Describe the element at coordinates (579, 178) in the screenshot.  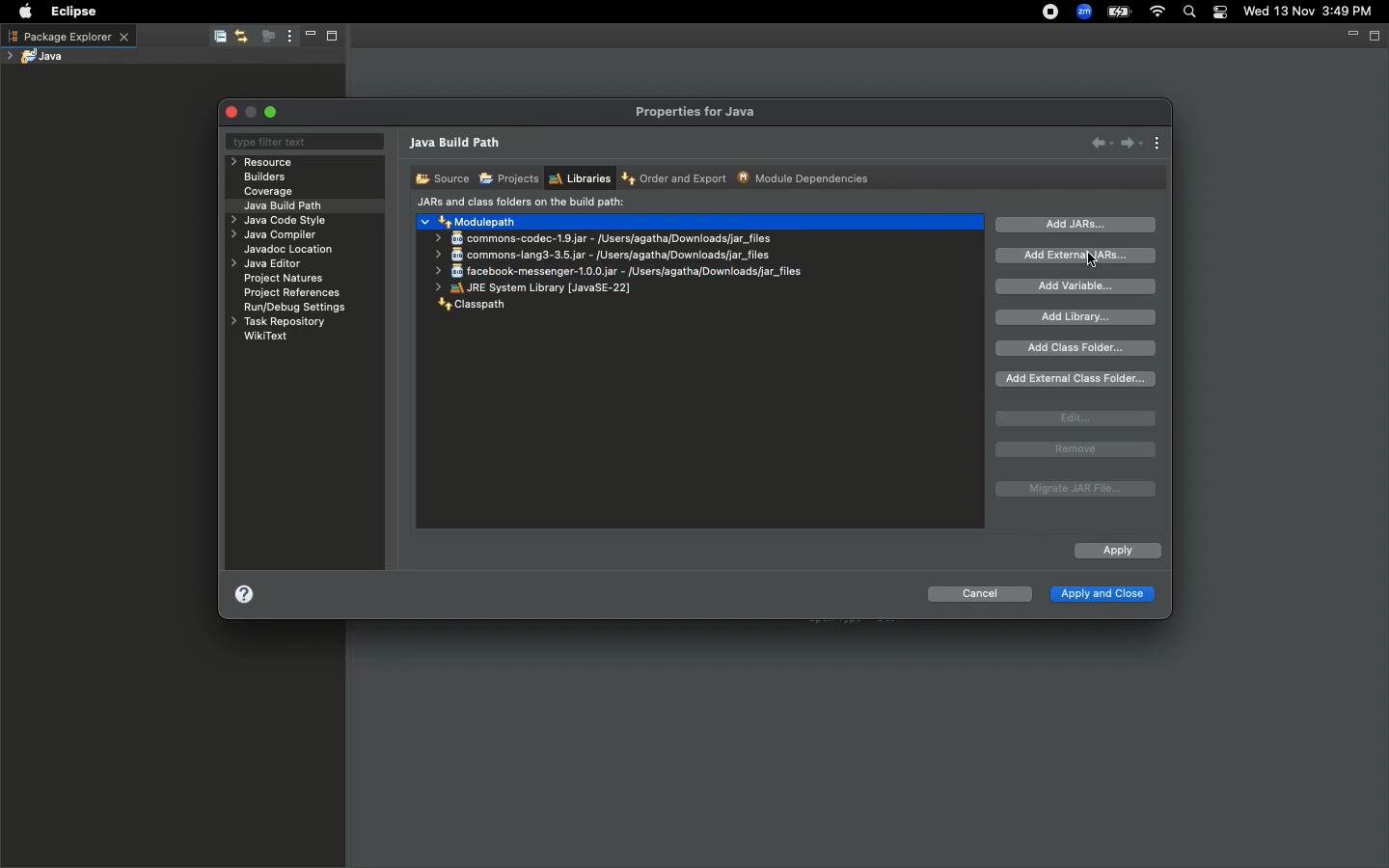
I see `Libraries` at that location.